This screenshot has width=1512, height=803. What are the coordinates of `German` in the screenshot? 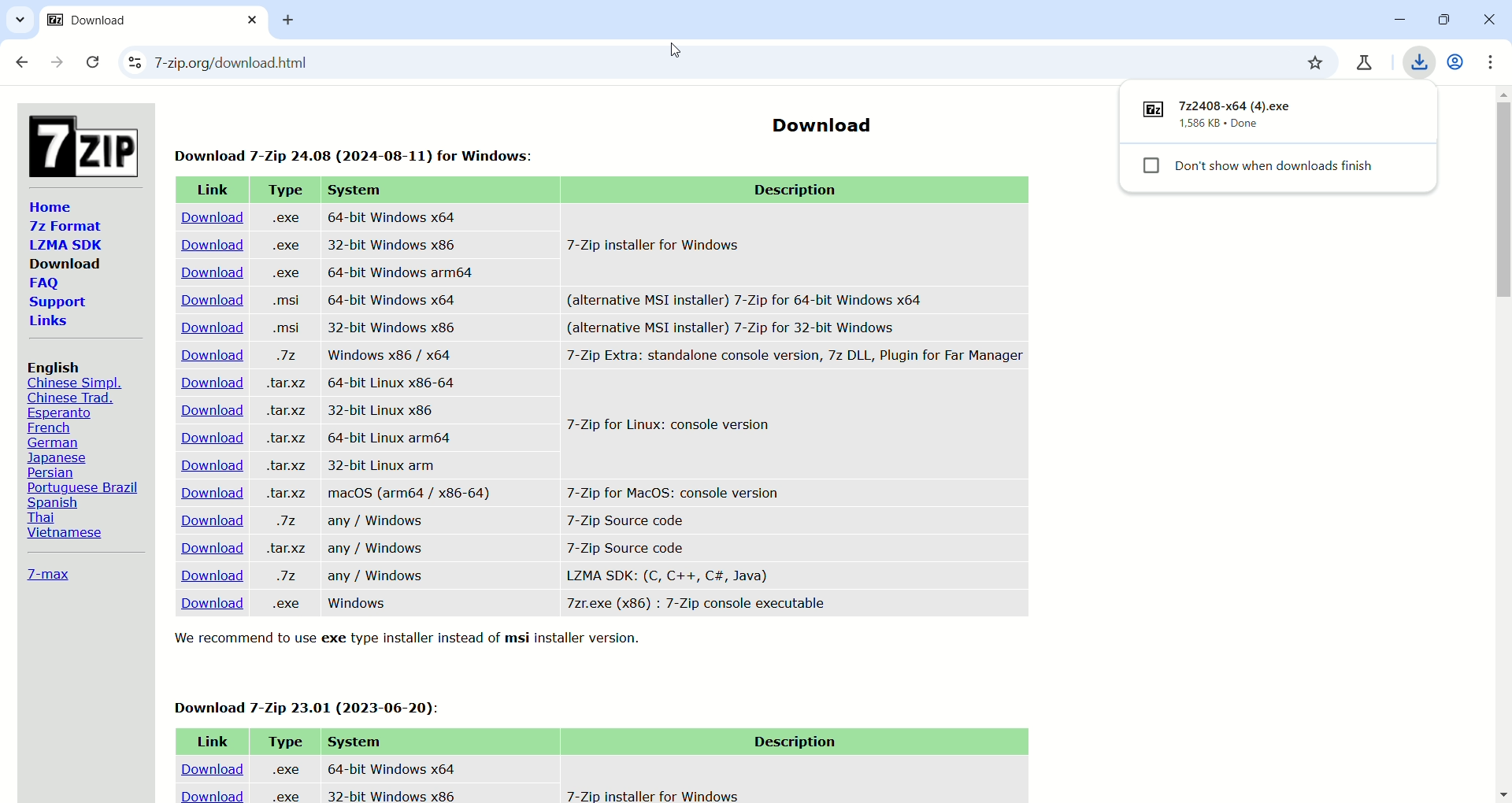 It's located at (57, 442).